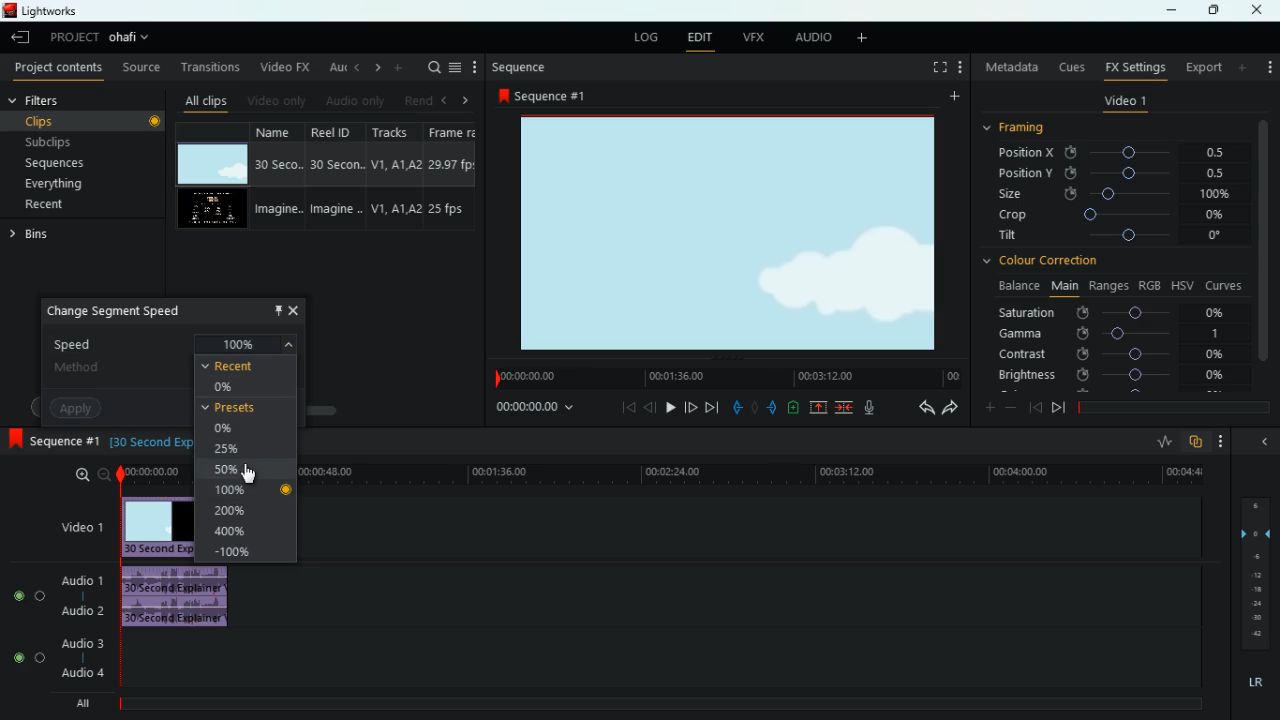 This screenshot has height=720, width=1280. Describe the element at coordinates (1264, 239) in the screenshot. I see `vertical scroll bar` at that location.